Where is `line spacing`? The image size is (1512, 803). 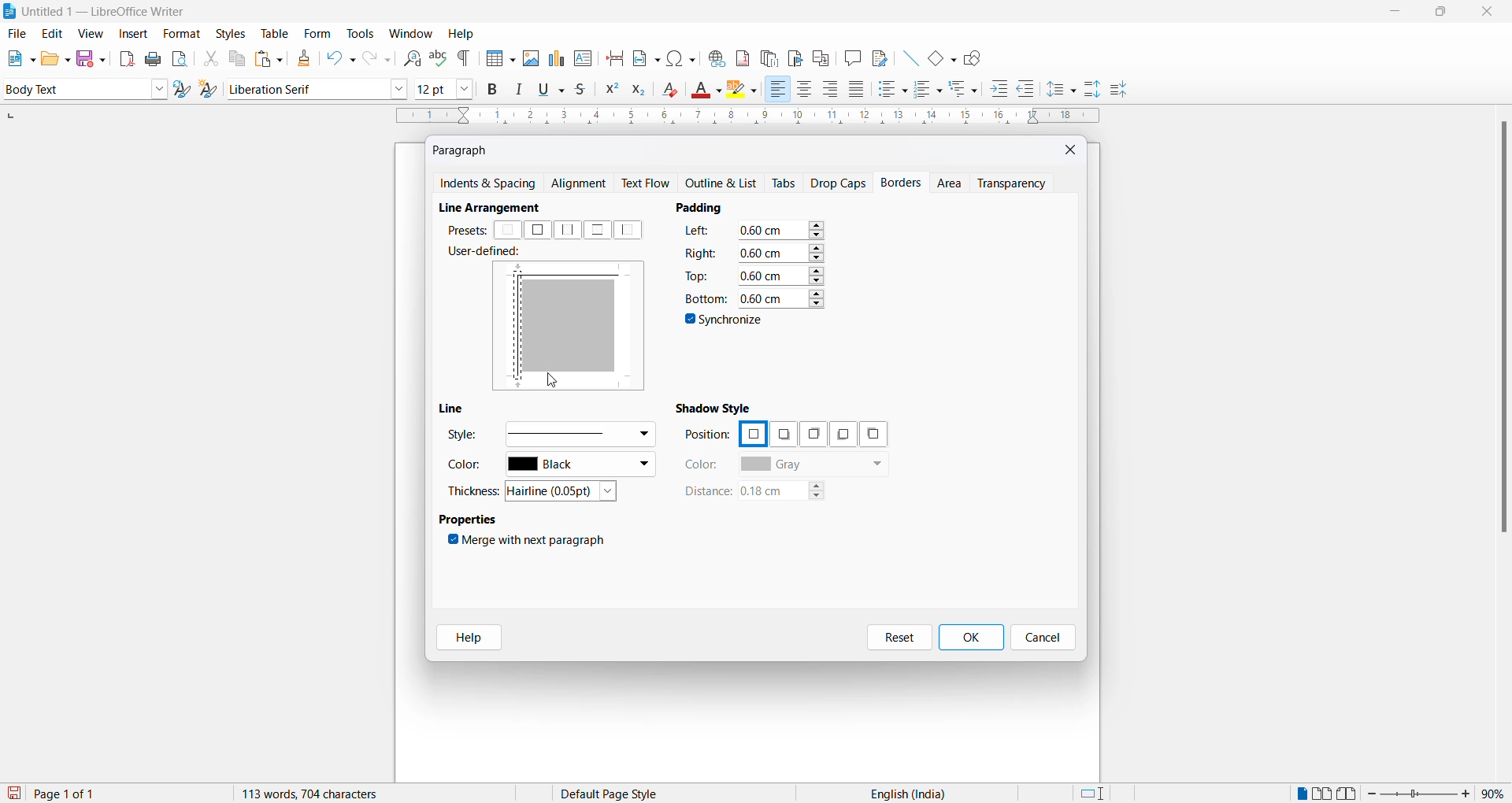 line spacing is located at coordinates (1064, 90).